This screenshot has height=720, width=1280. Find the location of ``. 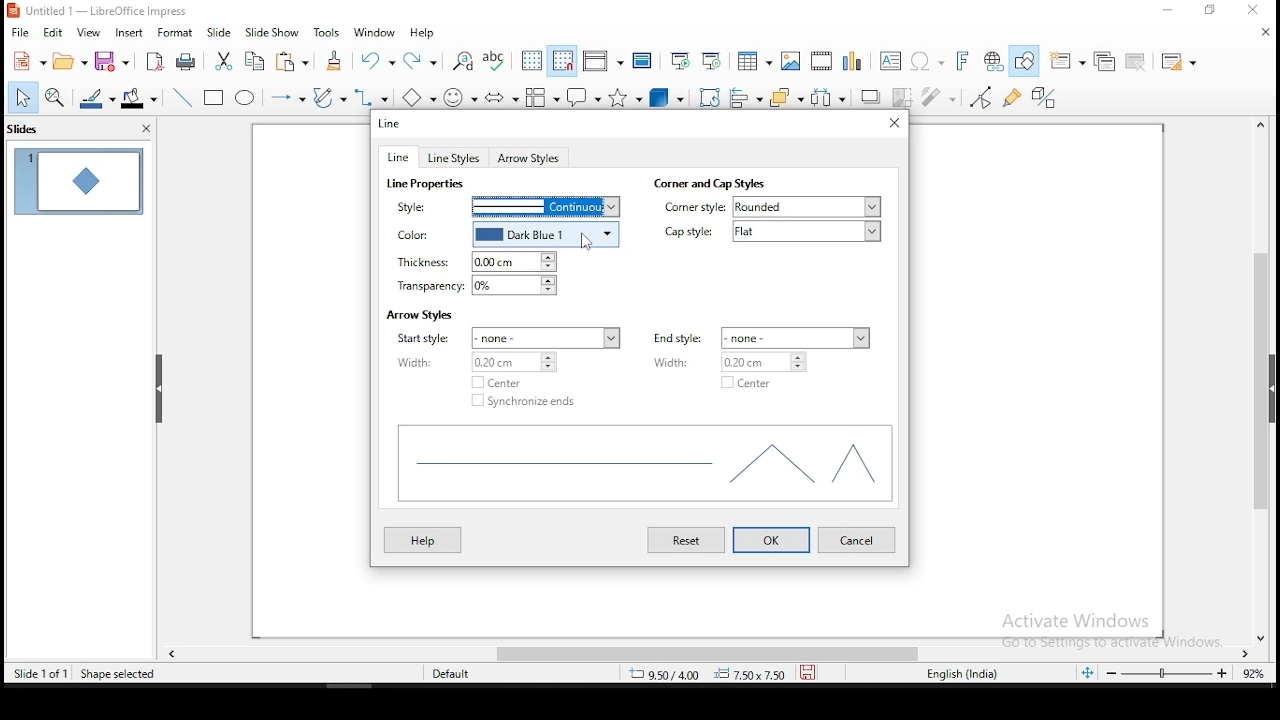

 is located at coordinates (928, 62).